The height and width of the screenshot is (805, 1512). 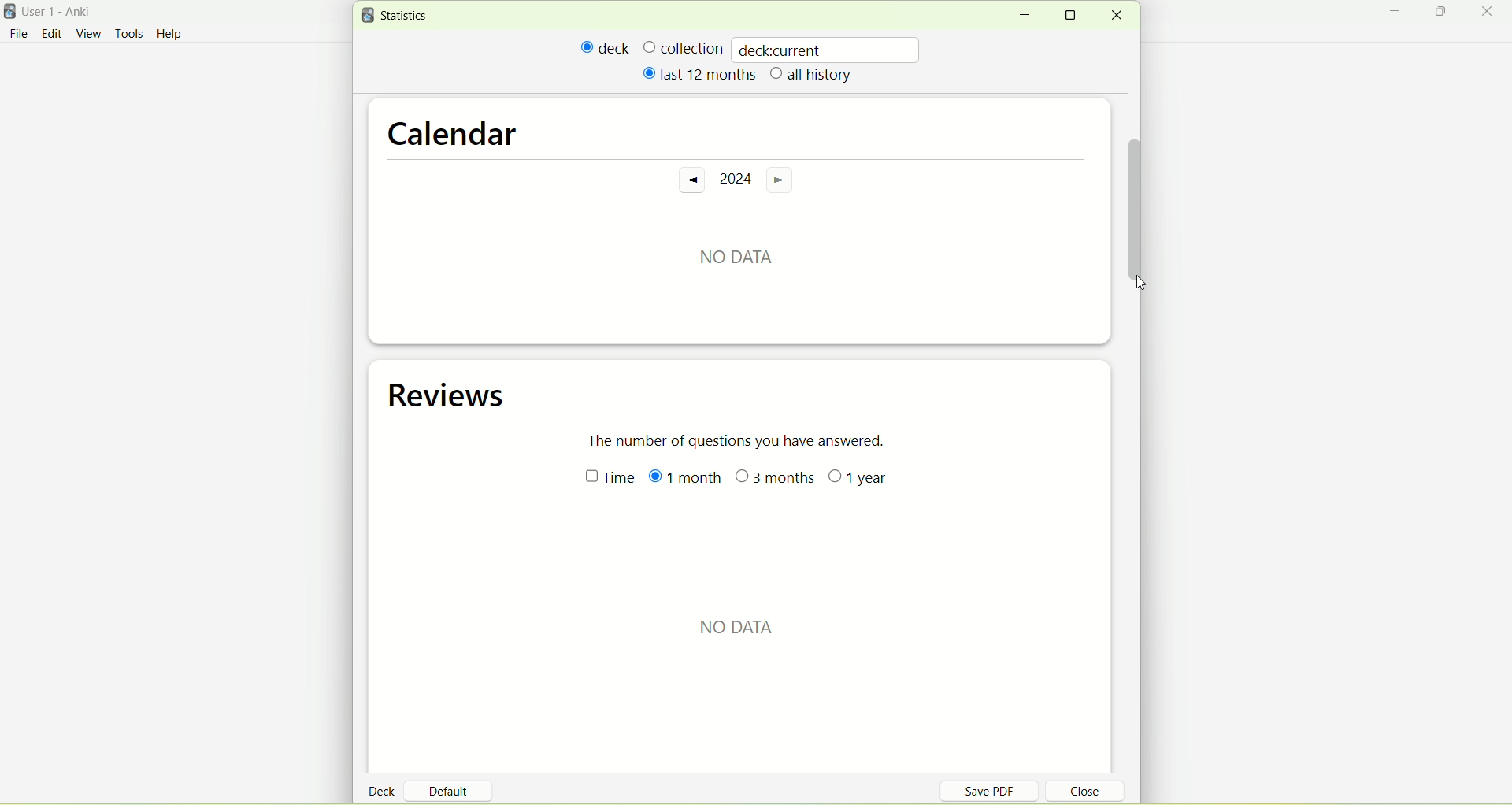 What do you see at coordinates (91, 35) in the screenshot?
I see `view` at bounding box center [91, 35].